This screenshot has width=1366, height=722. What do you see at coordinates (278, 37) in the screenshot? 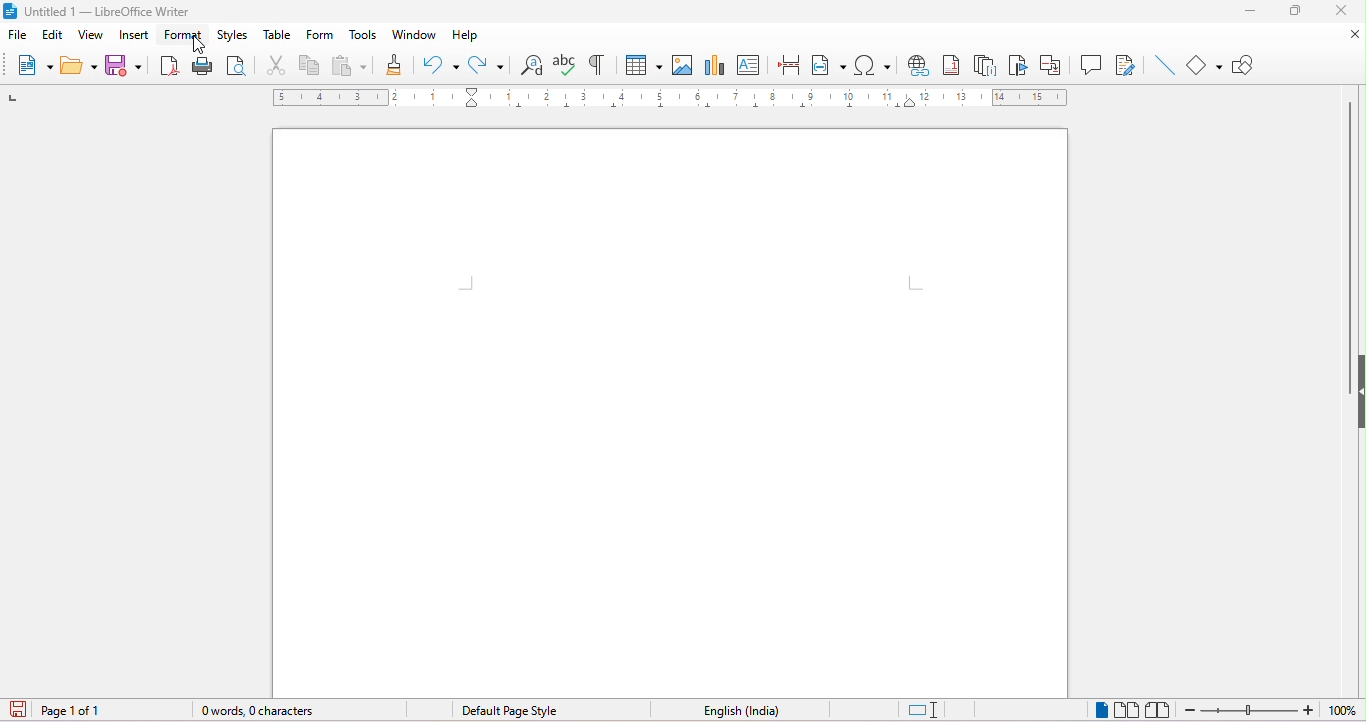
I see `table` at bounding box center [278, 37].